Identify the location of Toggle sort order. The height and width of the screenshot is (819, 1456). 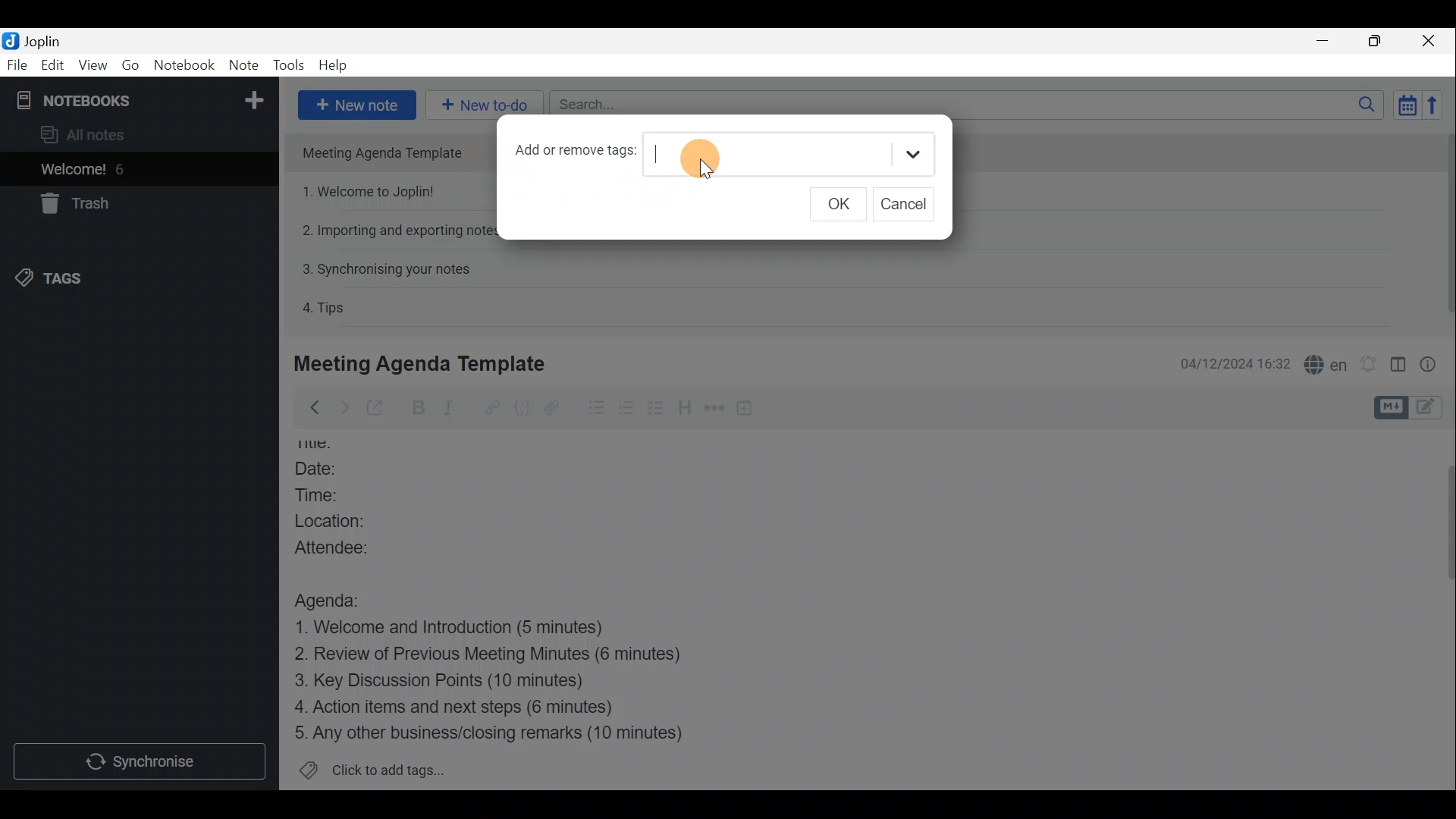
(1404, 103).